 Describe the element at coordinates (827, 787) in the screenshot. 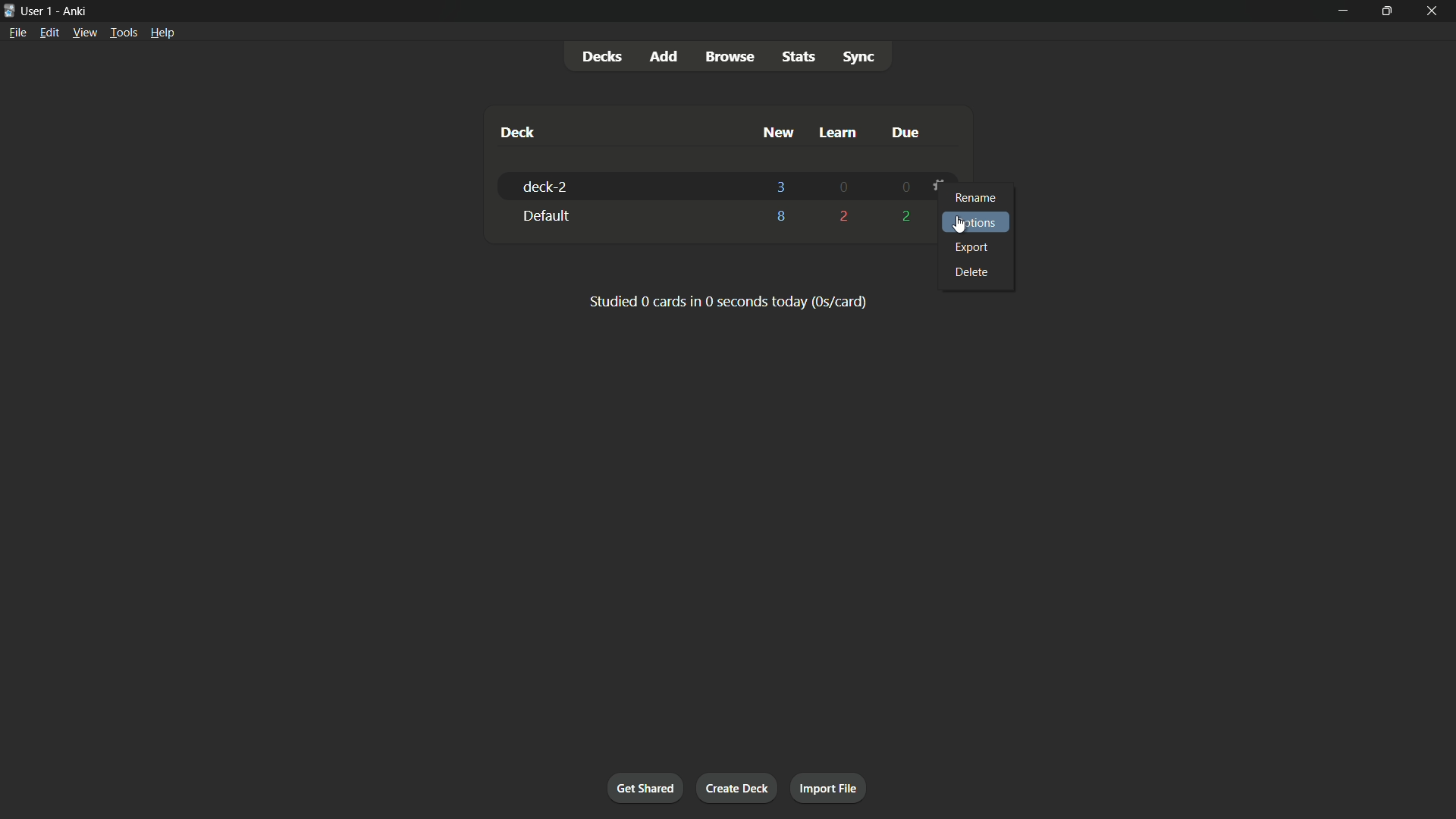

I see `import file` at that location.